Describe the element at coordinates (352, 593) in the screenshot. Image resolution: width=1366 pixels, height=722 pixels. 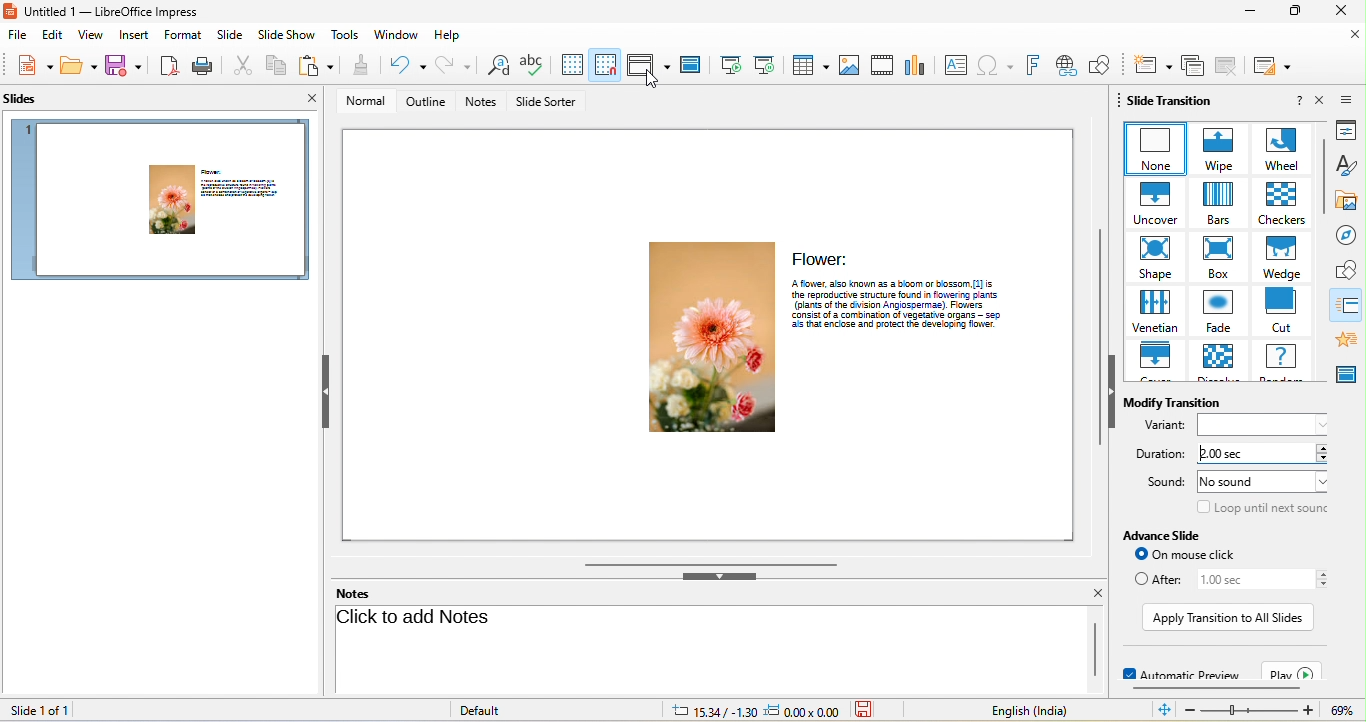
I see `notes` at that location.